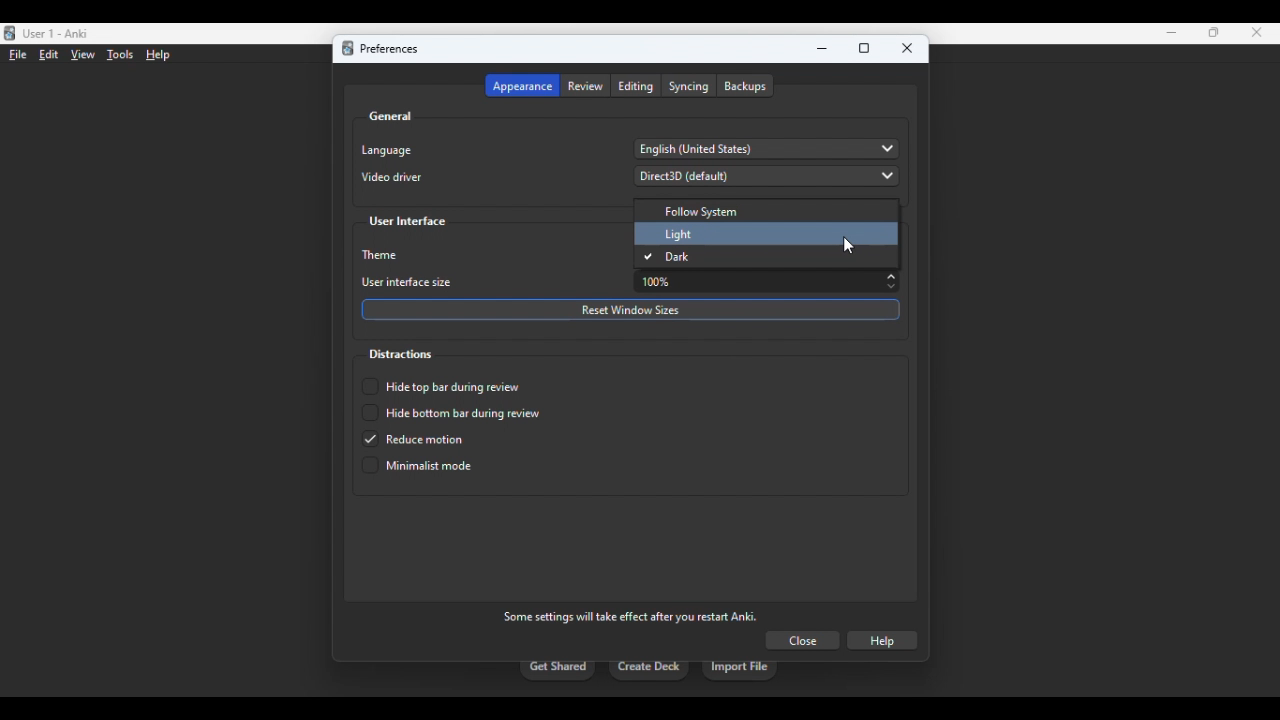 The image size is (1280, 720). What do you see at coordinates (770, 282) in the screenshot?
I see `100%` at bounding box center [770, 282].